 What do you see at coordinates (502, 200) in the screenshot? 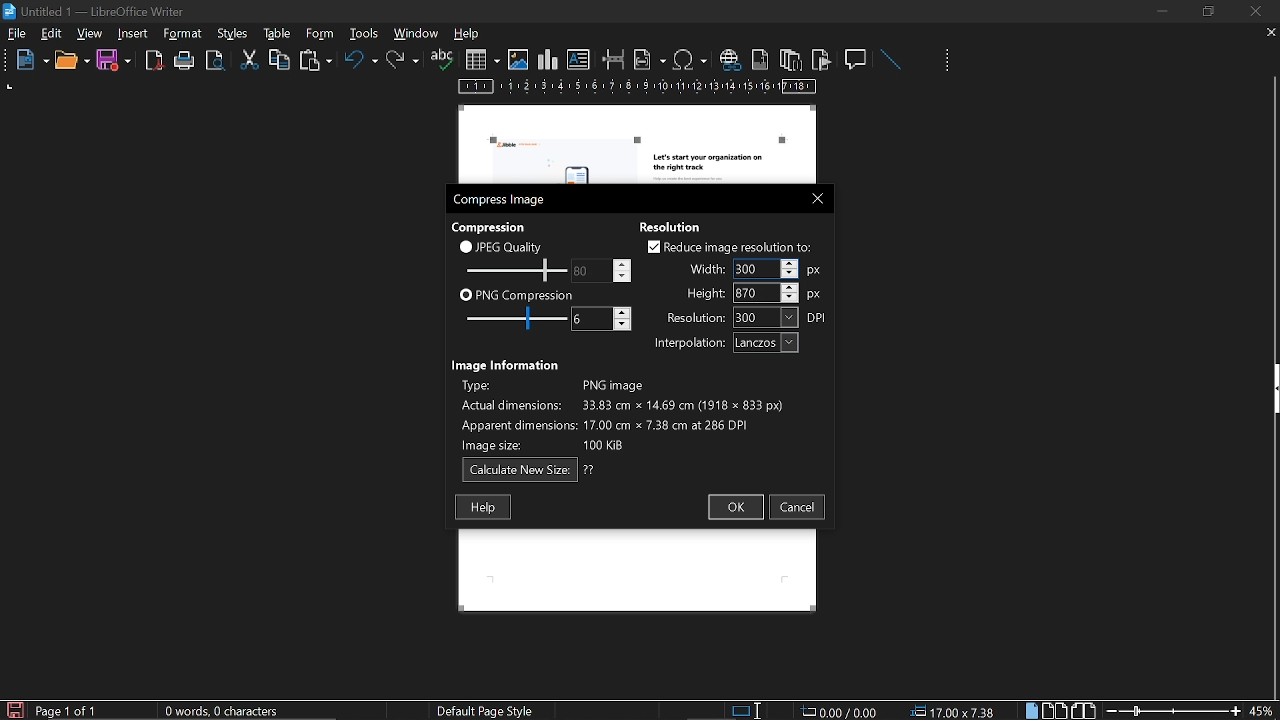
I see `compress image` at bounding box center [502, 200].